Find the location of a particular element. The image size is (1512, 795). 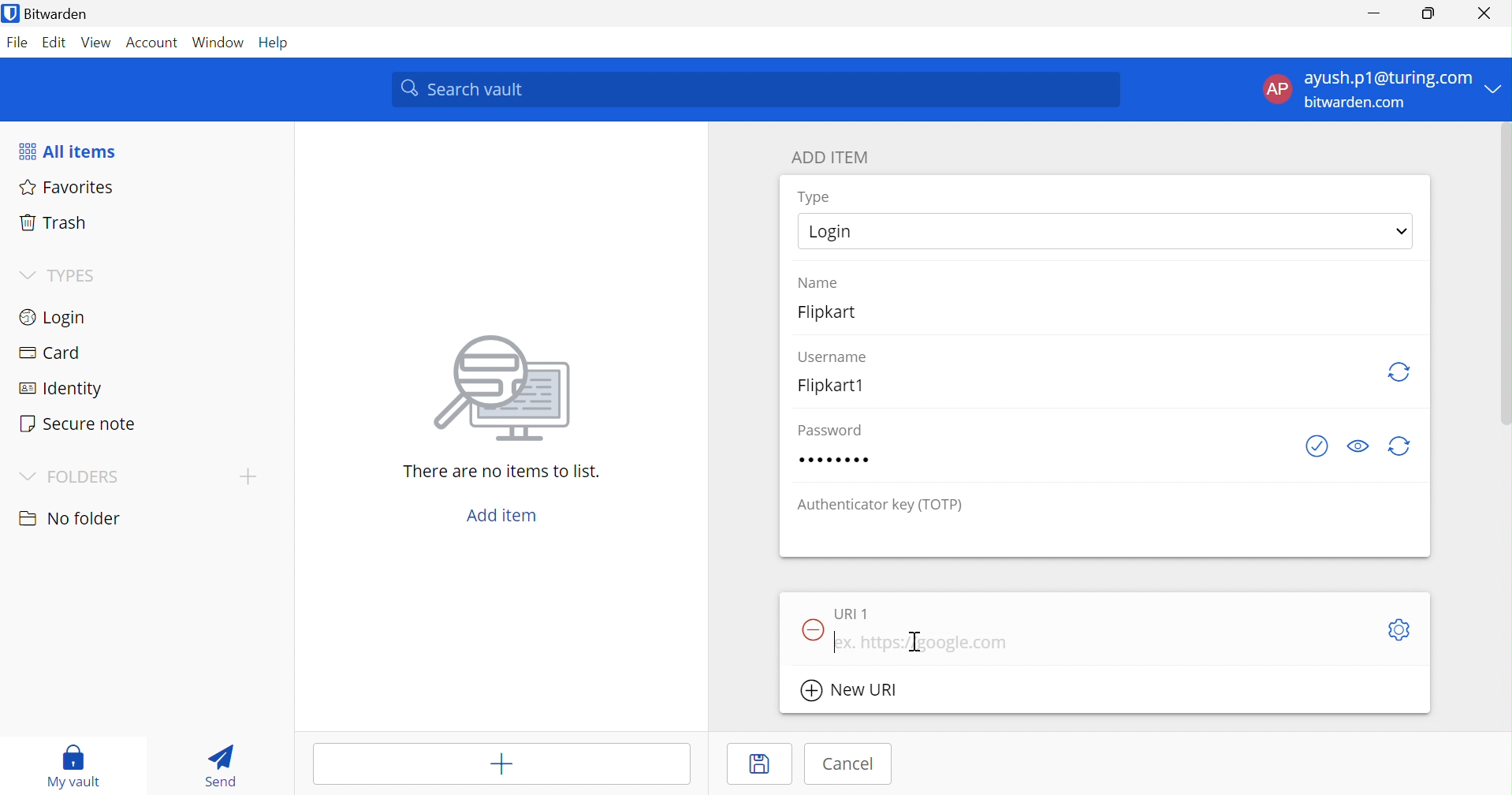

There are no items to list. is located at coordinates (503, 473).